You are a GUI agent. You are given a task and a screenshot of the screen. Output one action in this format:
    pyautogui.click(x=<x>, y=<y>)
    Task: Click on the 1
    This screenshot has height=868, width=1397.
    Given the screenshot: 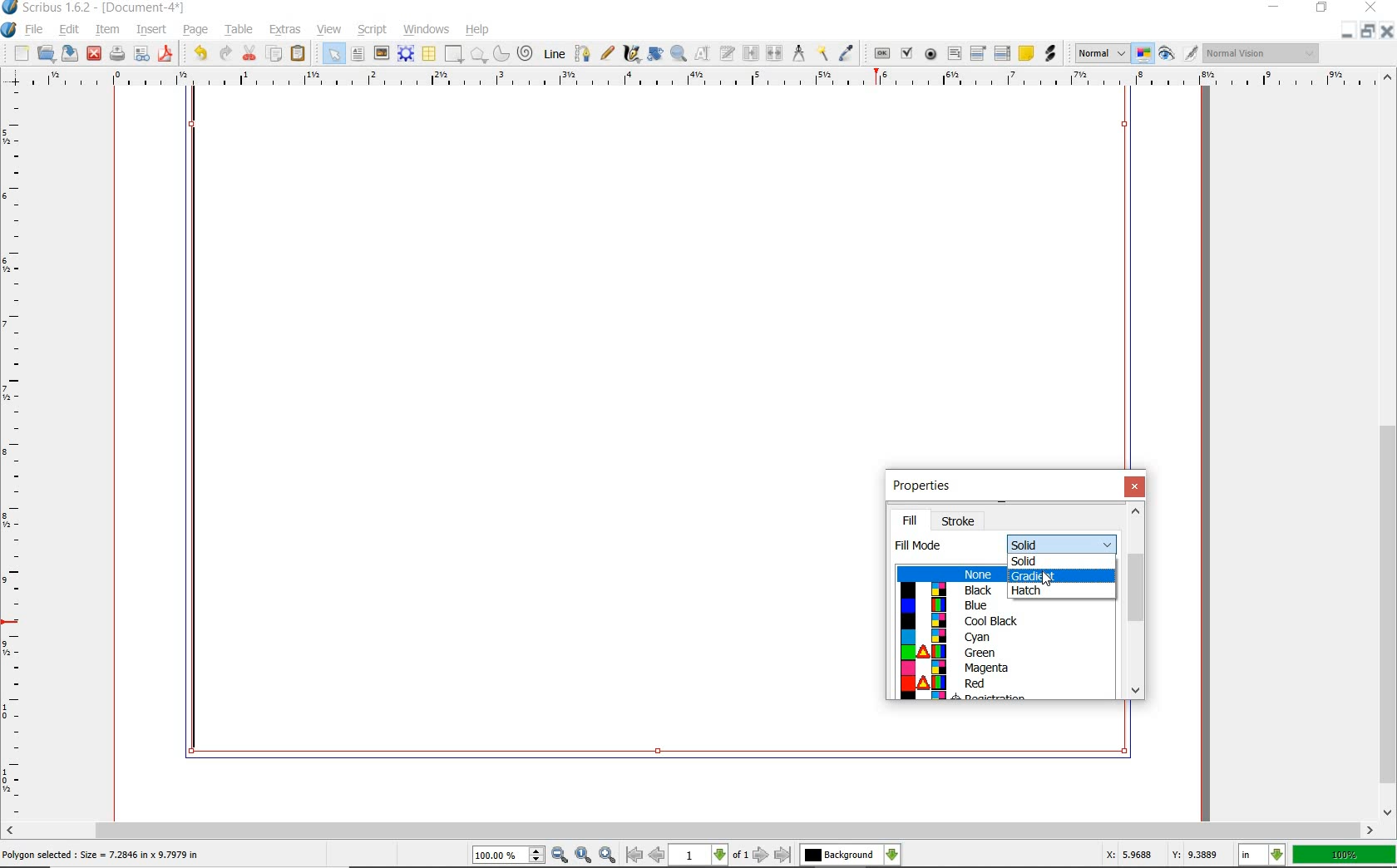 What is the action you would take?
    pyautogui.click(x=699, y=856)
    